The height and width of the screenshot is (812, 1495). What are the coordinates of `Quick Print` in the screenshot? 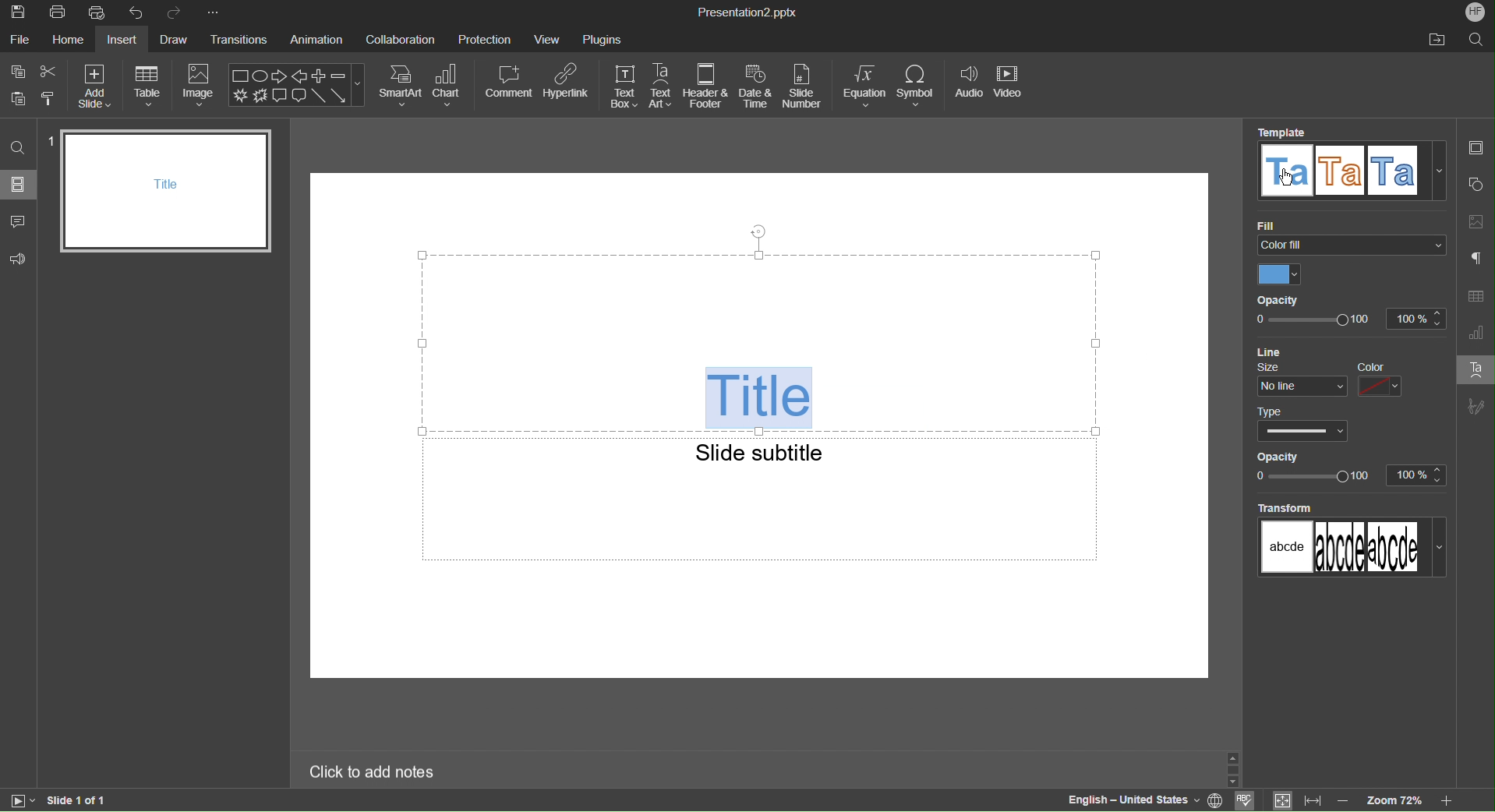 It's located at (97, 12).